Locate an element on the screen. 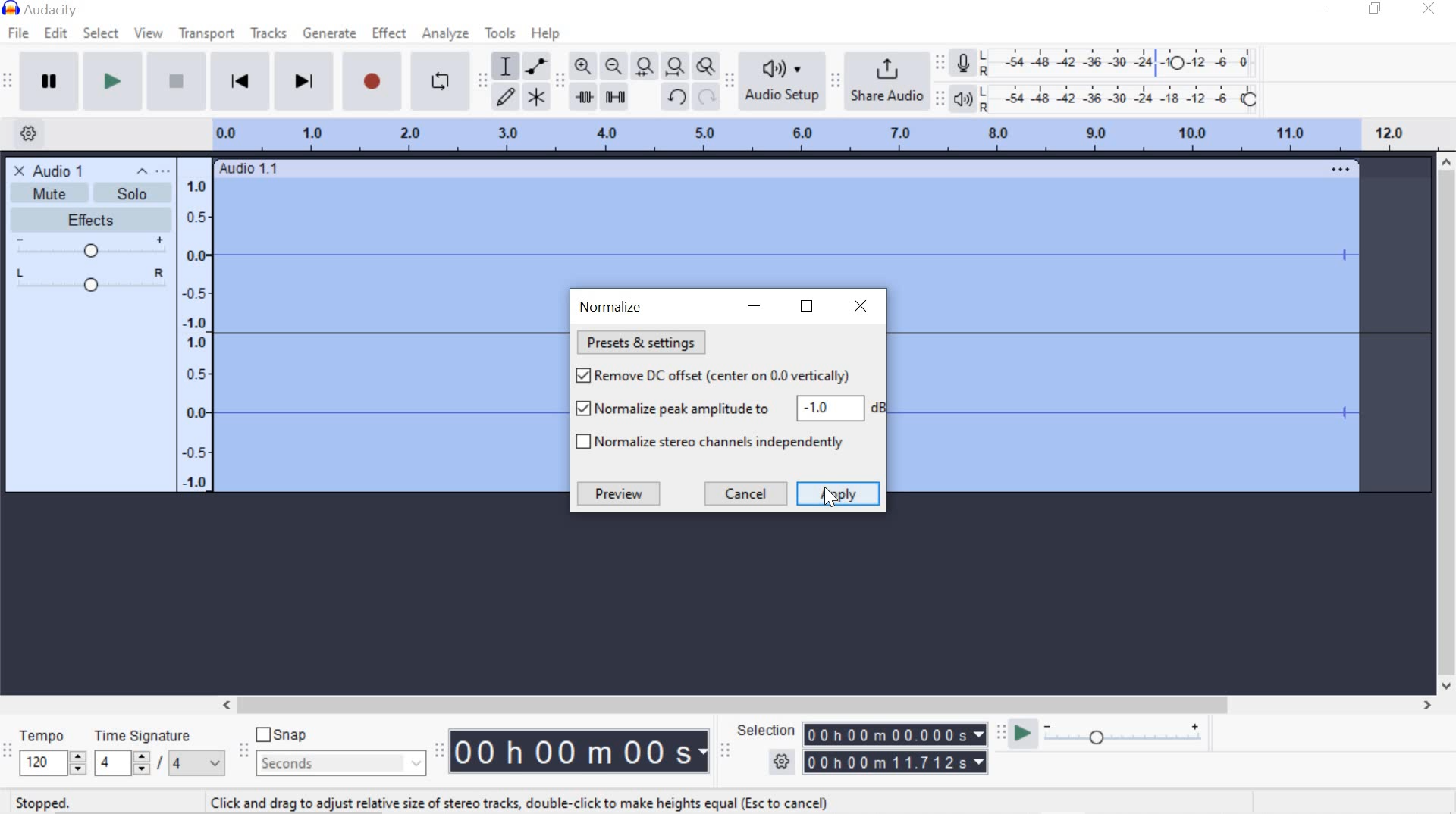 This screenshot has height=814, width=1456. restore down is located at coordinates (808, 307).